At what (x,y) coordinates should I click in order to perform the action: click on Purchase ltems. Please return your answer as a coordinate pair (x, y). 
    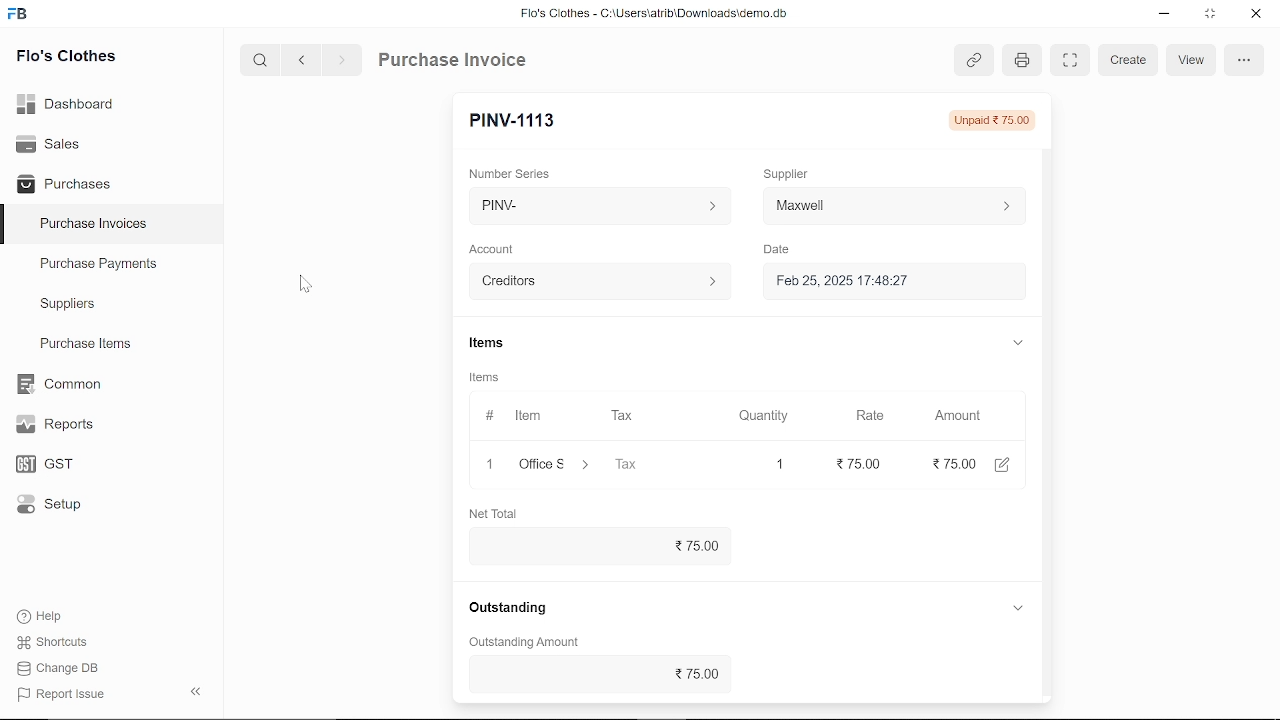
    Looking at the image, I should click on (83, 345).